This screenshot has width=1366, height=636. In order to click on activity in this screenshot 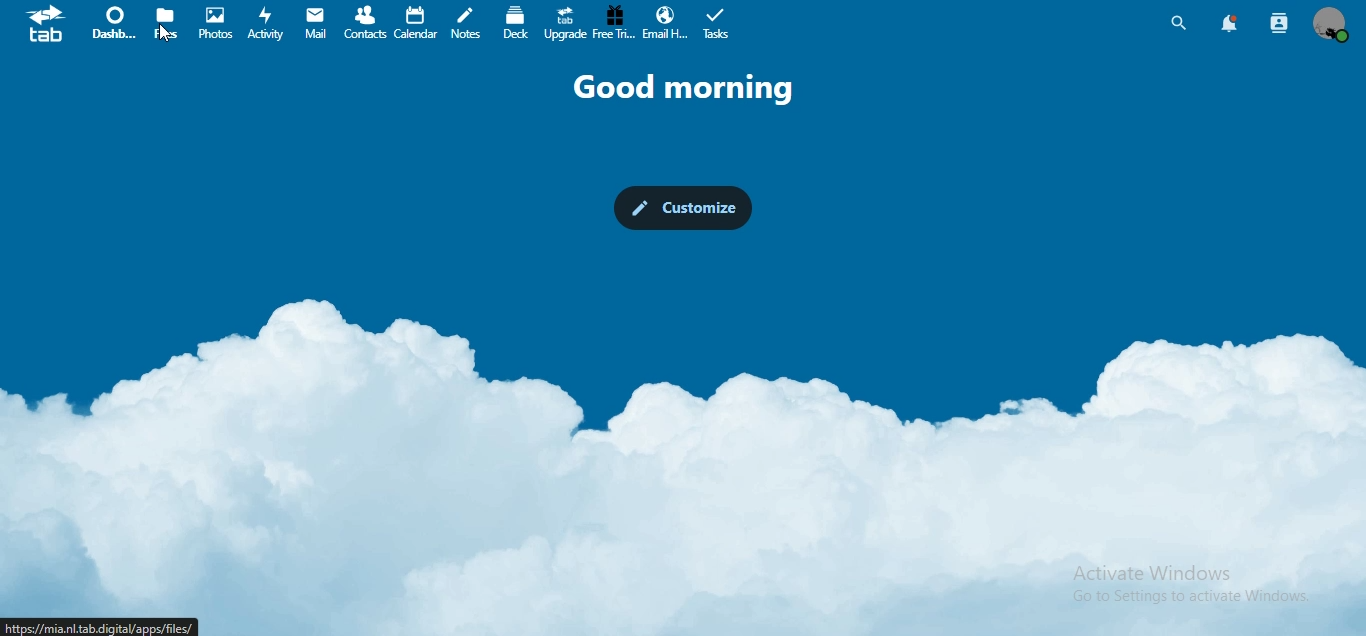, I will do `click(265, 25)`.